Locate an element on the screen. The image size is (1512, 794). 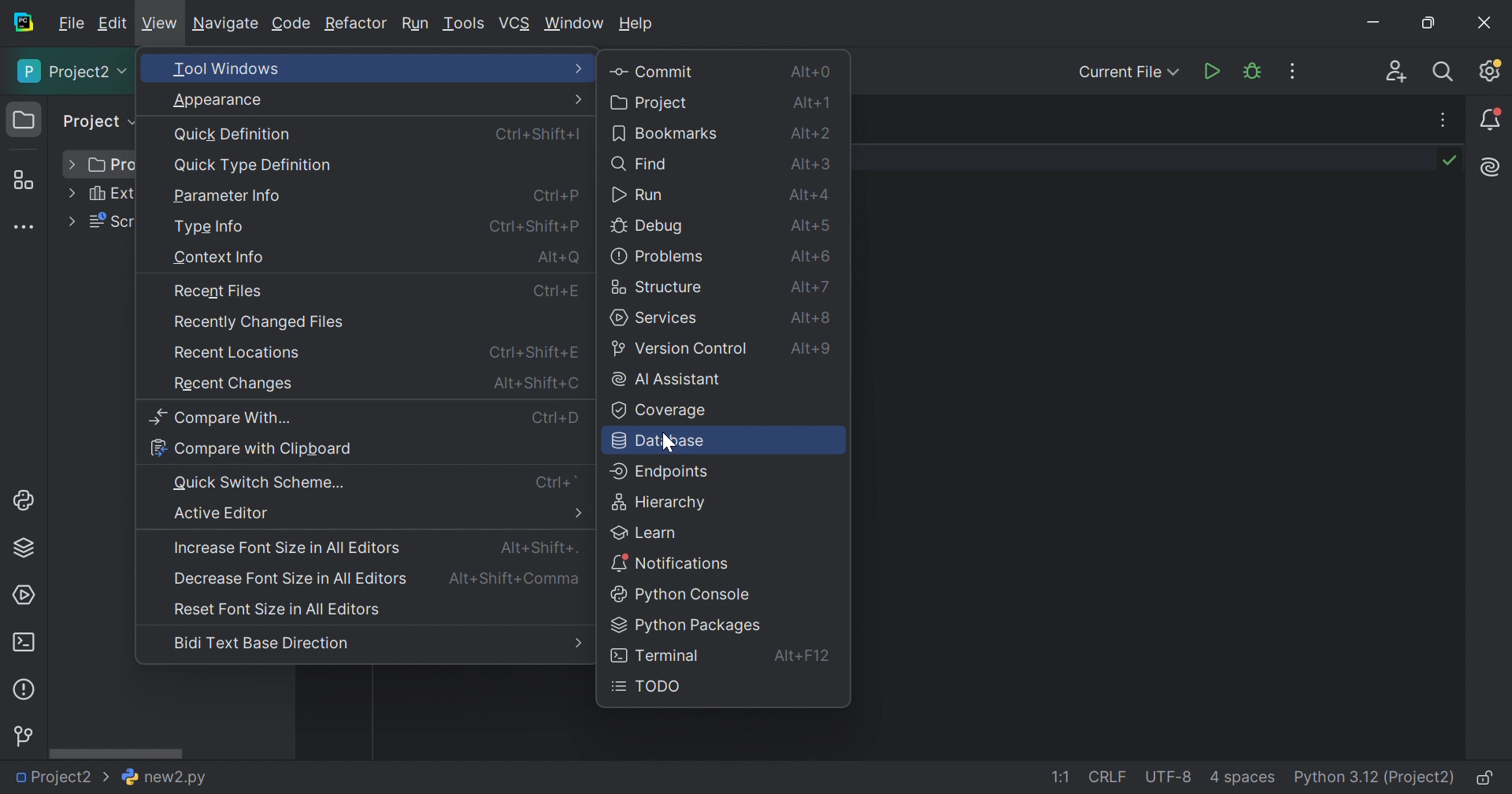
Alt+O is located at coordinates (558, 257).